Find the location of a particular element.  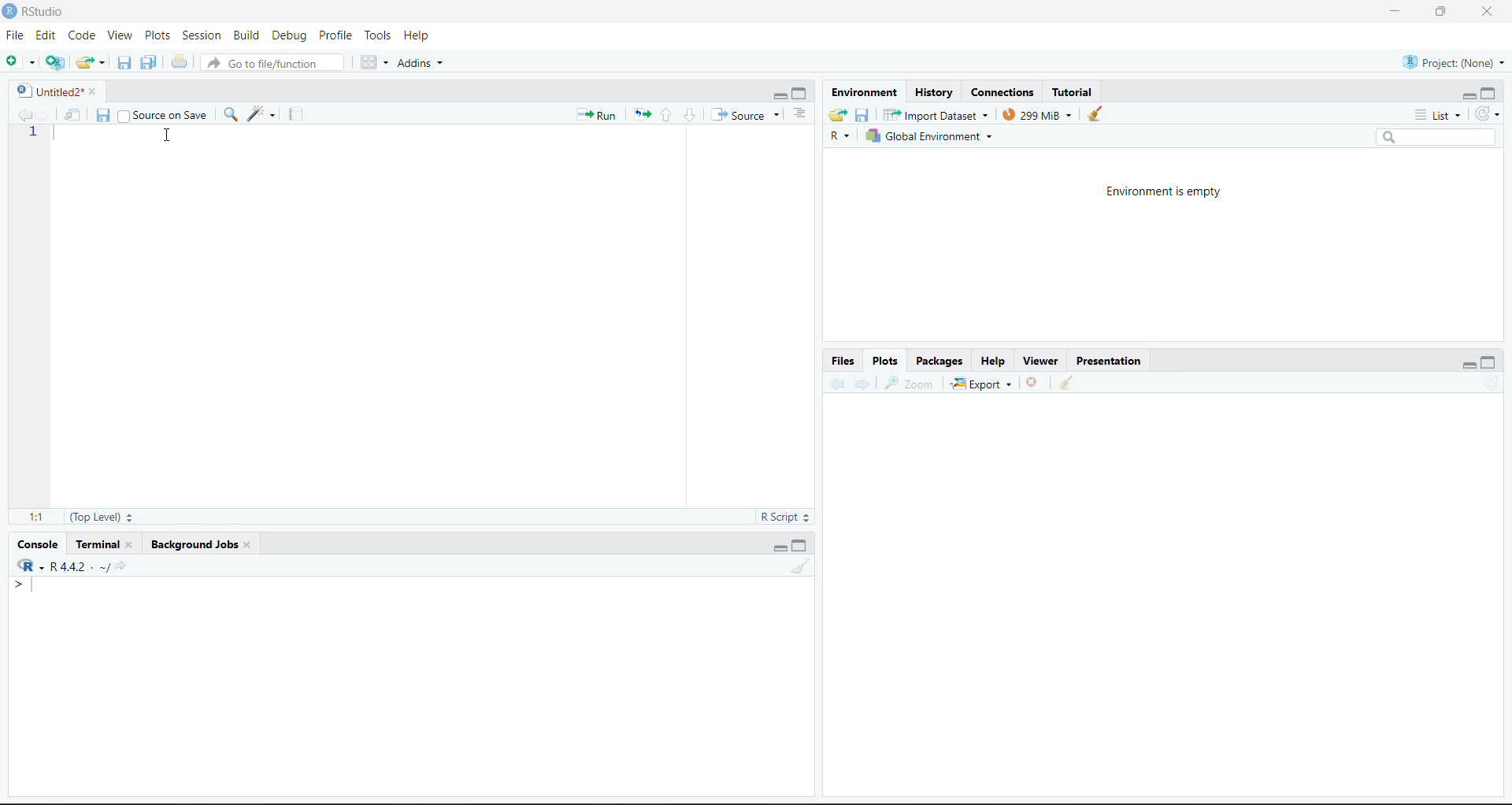

Global Environment is located at coordinates (928, 135).